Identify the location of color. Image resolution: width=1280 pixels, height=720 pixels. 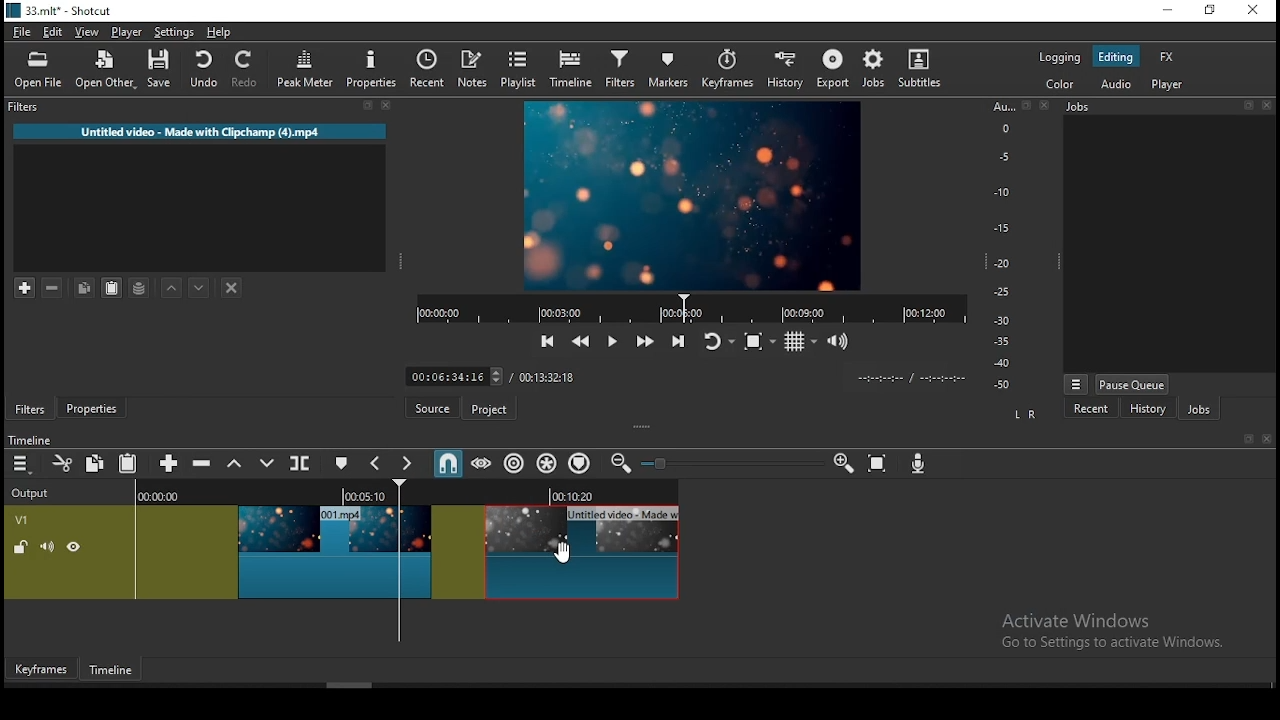
(1061, 85).